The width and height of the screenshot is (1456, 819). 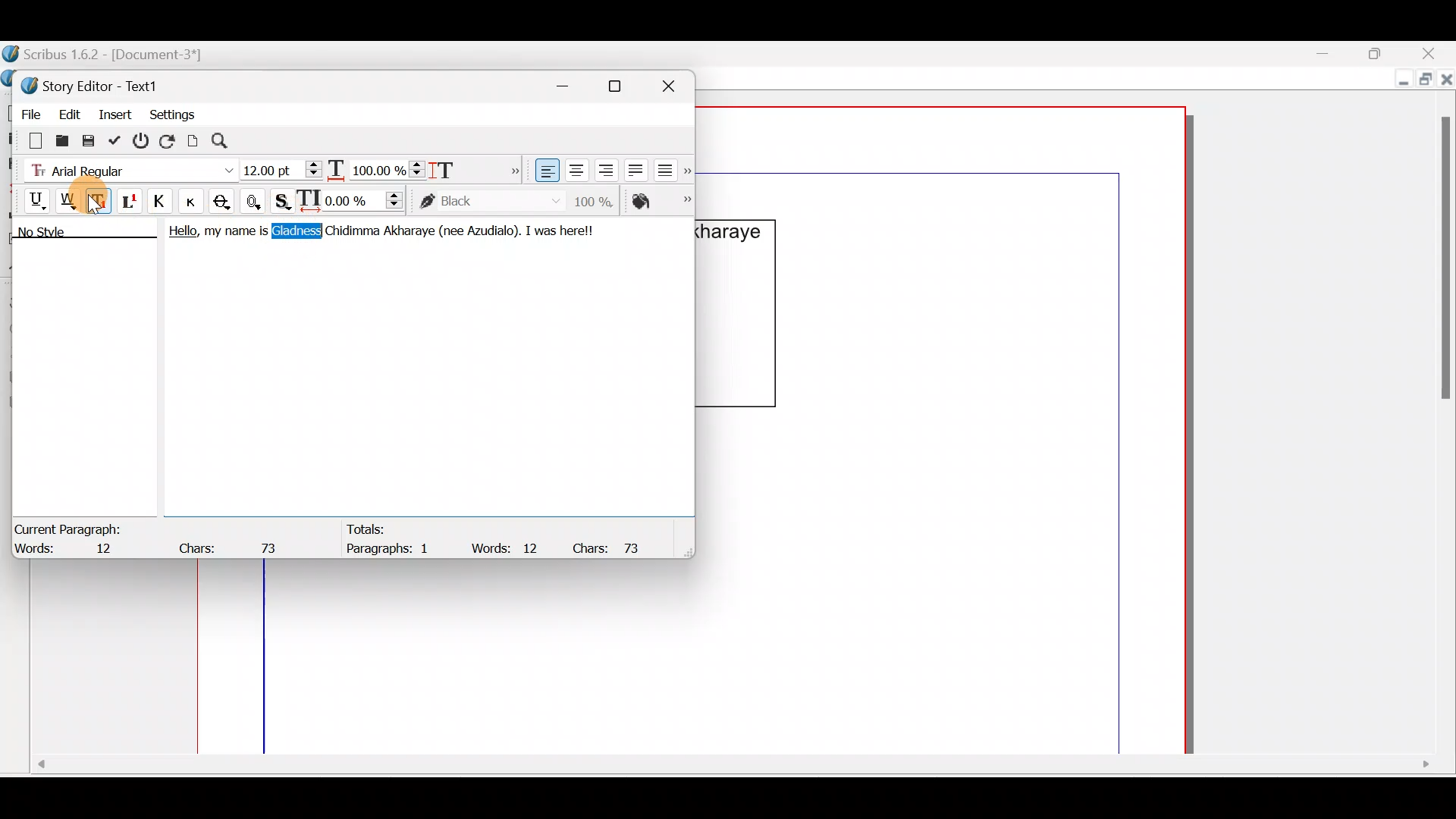 I want to click on Superscript, so click(x=131, y=203).